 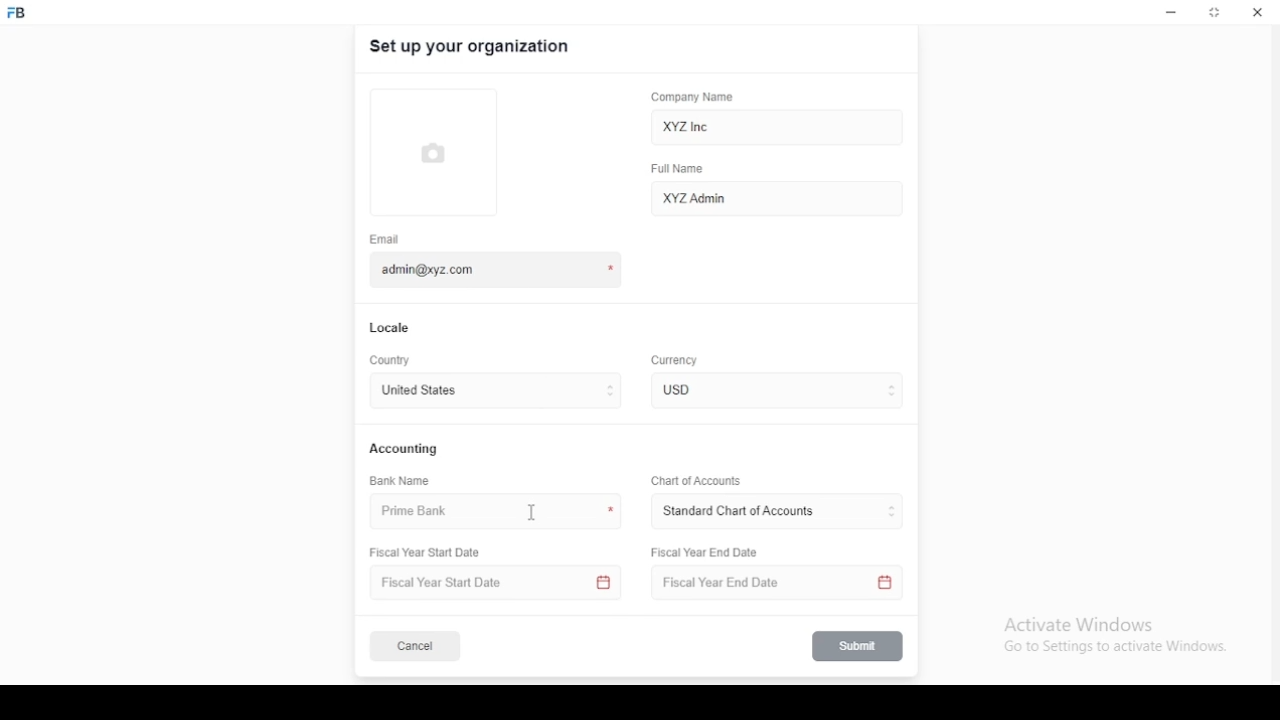 I want to click on locale, so click(x=391, y=328).